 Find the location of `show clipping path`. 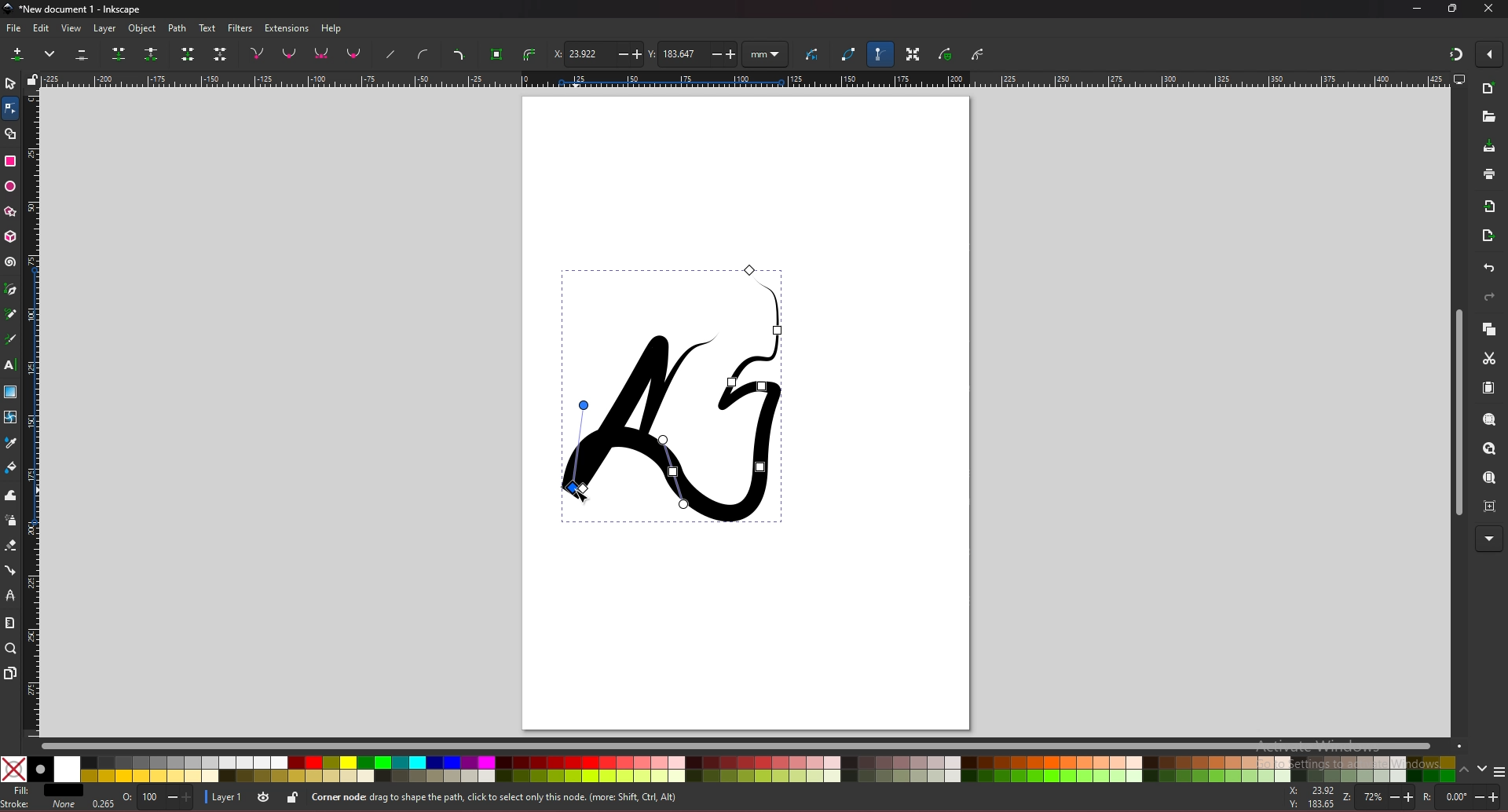

show clipping path is located at coordinates (978, 56).